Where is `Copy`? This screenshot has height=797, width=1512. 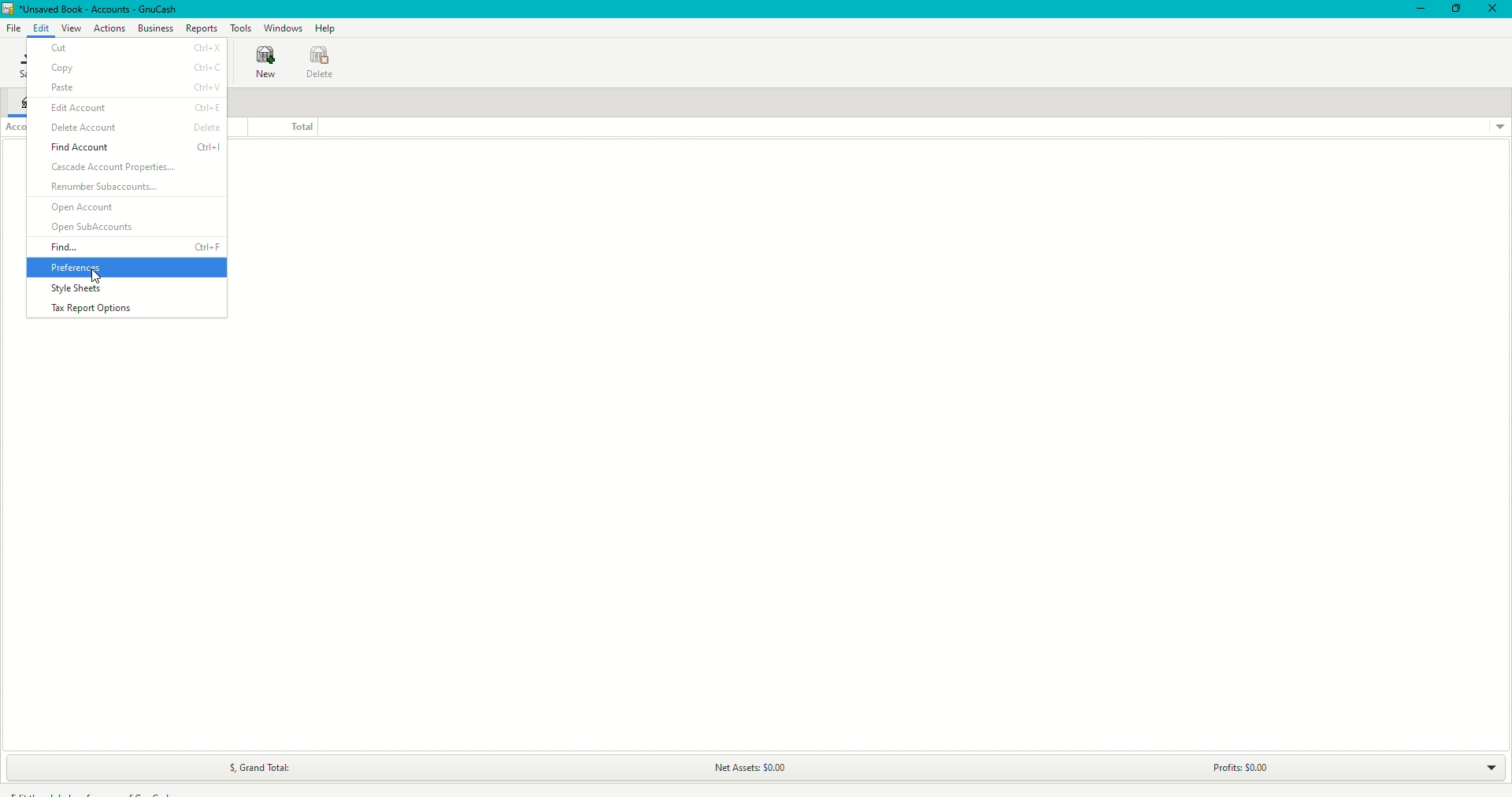
Copy is located at coordinates (136, 69).